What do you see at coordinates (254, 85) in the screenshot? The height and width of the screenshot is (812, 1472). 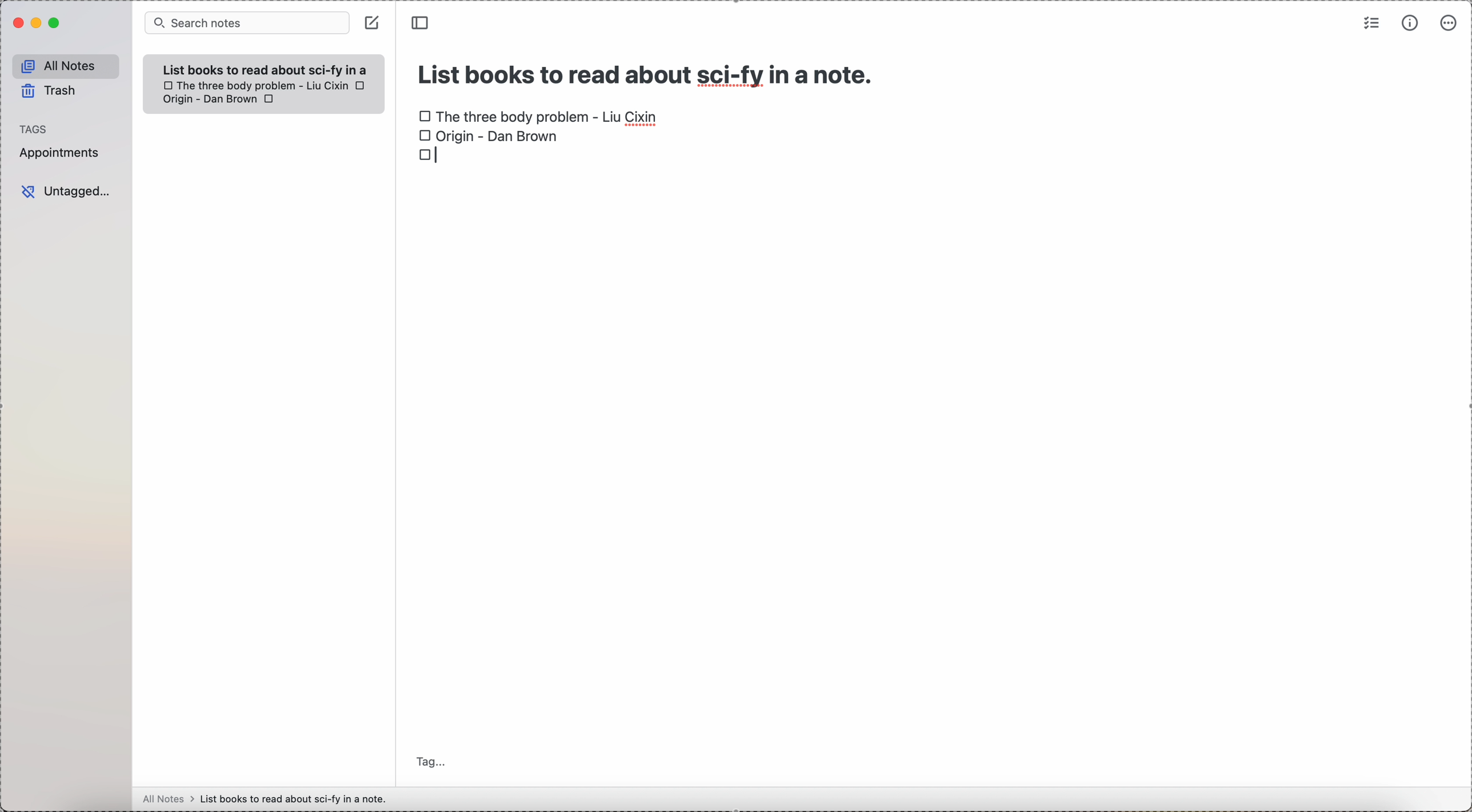 I see `checkbox The Three body problem - Liu Cixin book` at bounding box center [254, 85].